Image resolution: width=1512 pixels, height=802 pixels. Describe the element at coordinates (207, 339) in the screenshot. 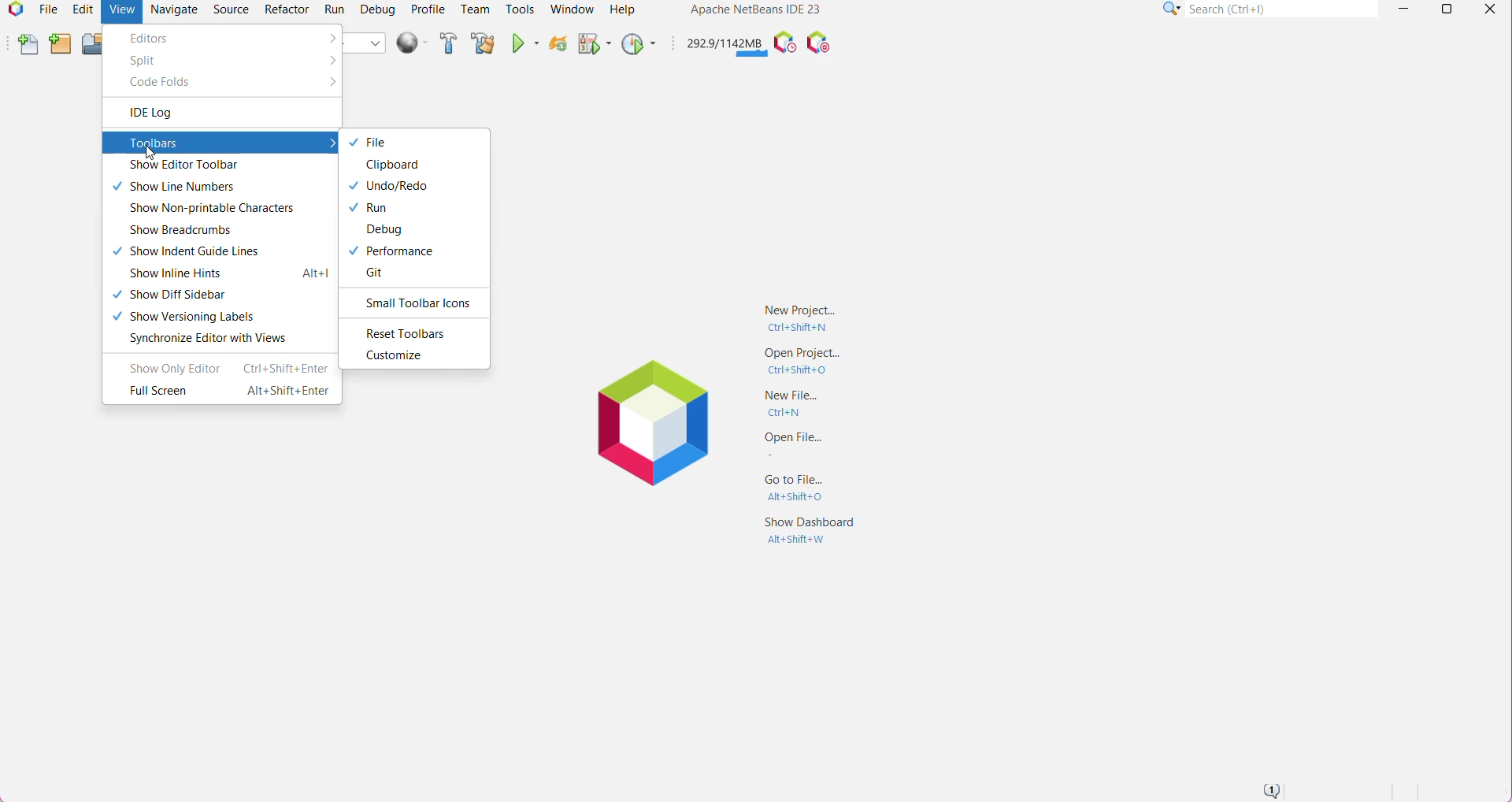

I see `Synchronize Editor with Views` at that location.